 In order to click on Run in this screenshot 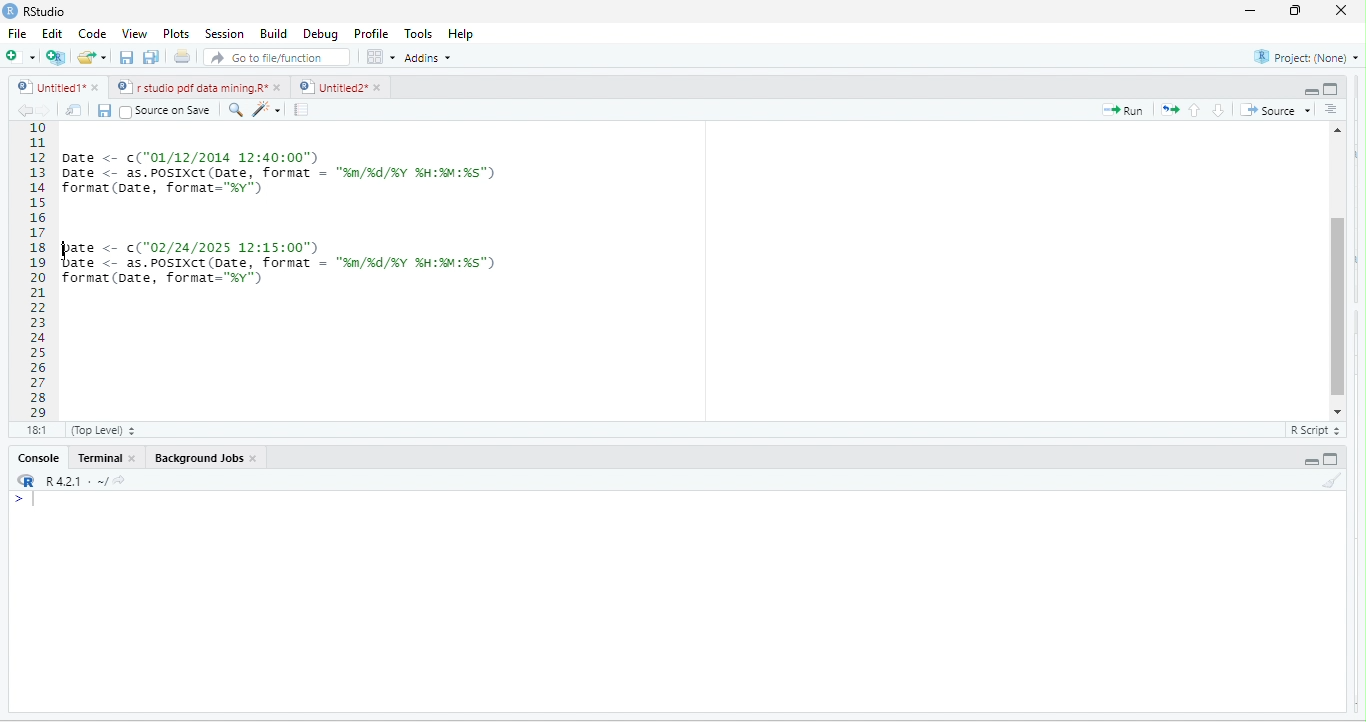, I will do `click(1127, 111)`.